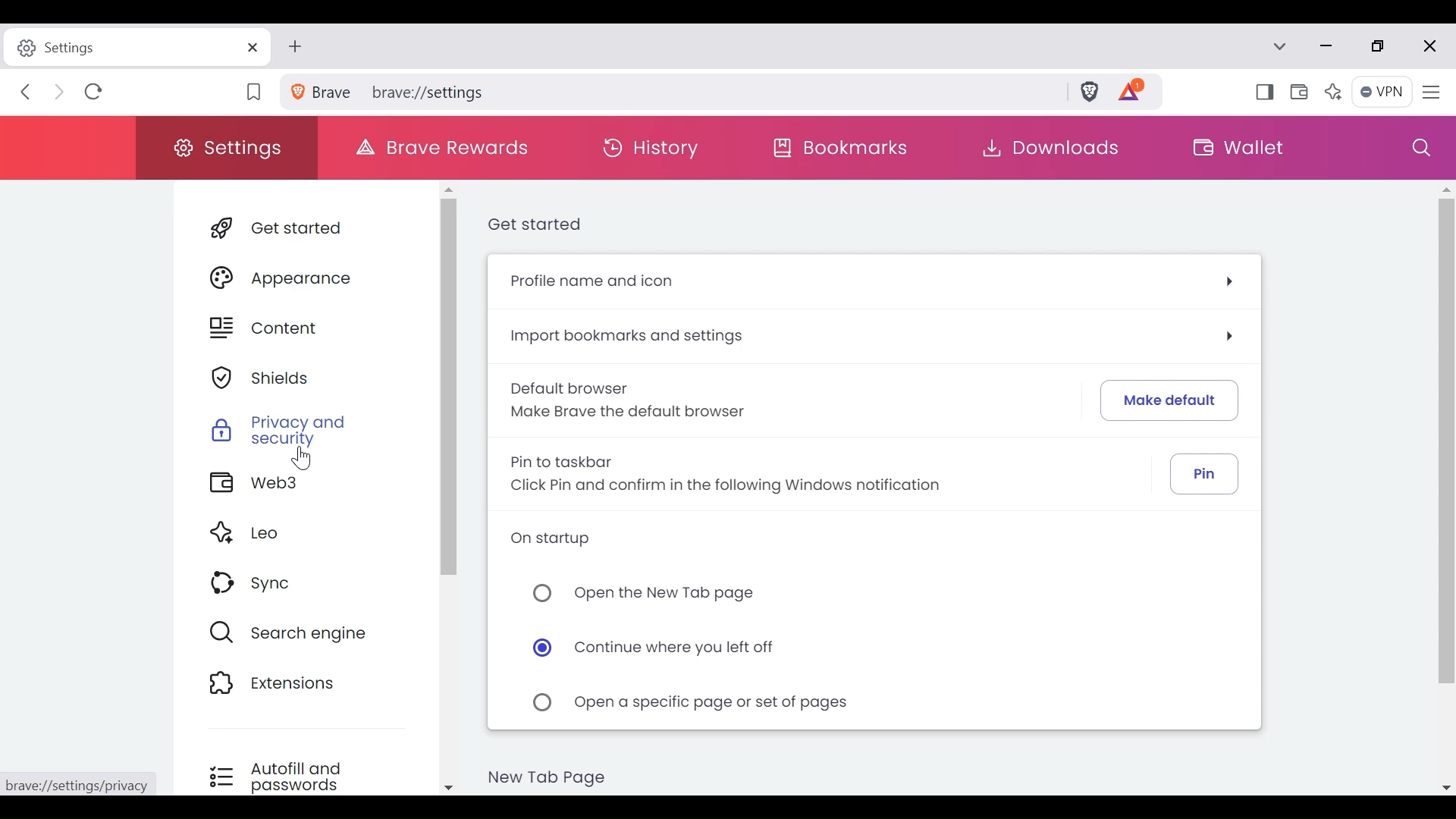 Image resolution: width=1456 pixels, height=819 pixels. Describe the element at coordinates (1447, 786) in the screenshot. I see `Scroll down` at that location.